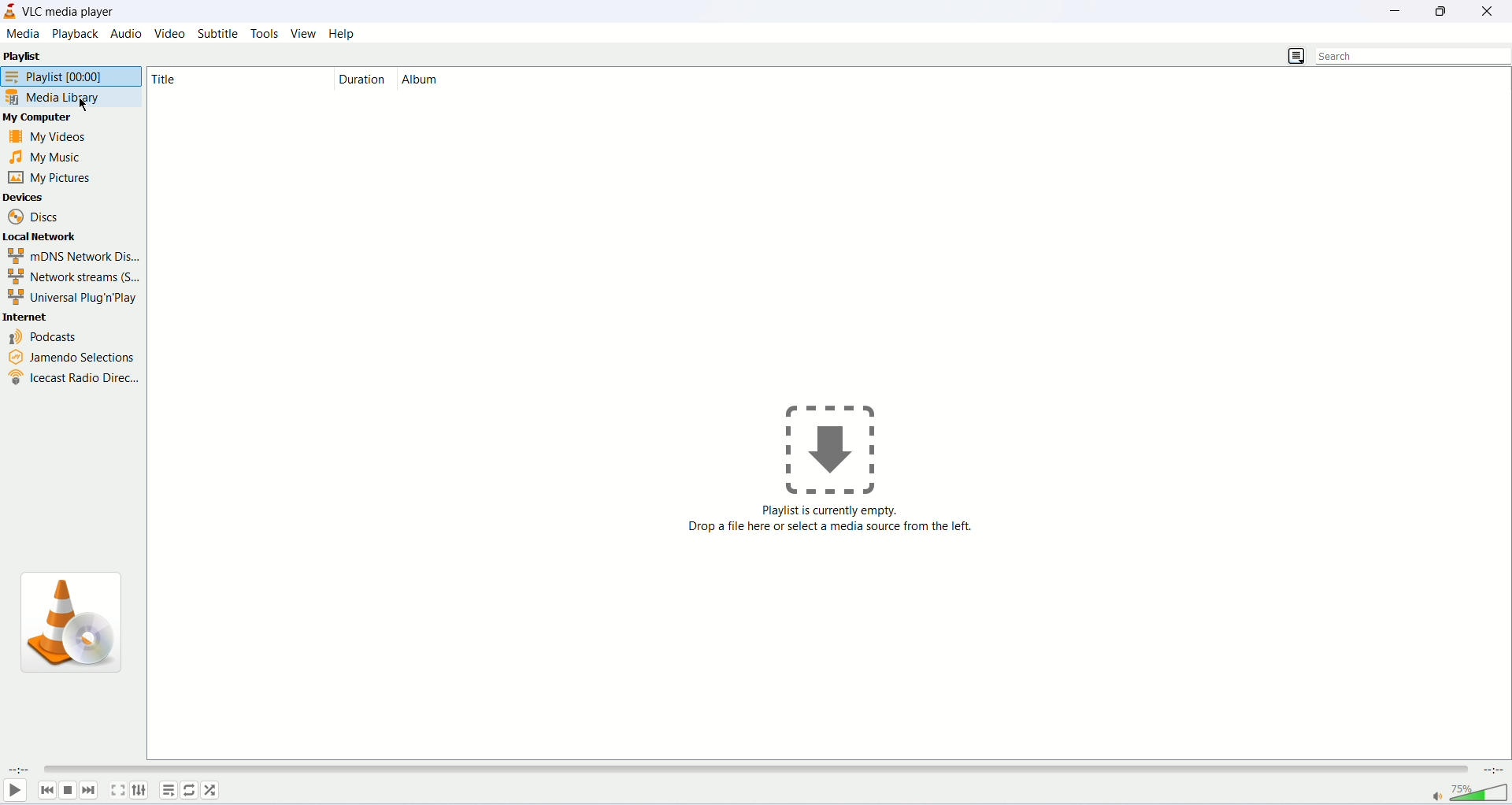  I want to click on VLC media player, so click(76, 11).